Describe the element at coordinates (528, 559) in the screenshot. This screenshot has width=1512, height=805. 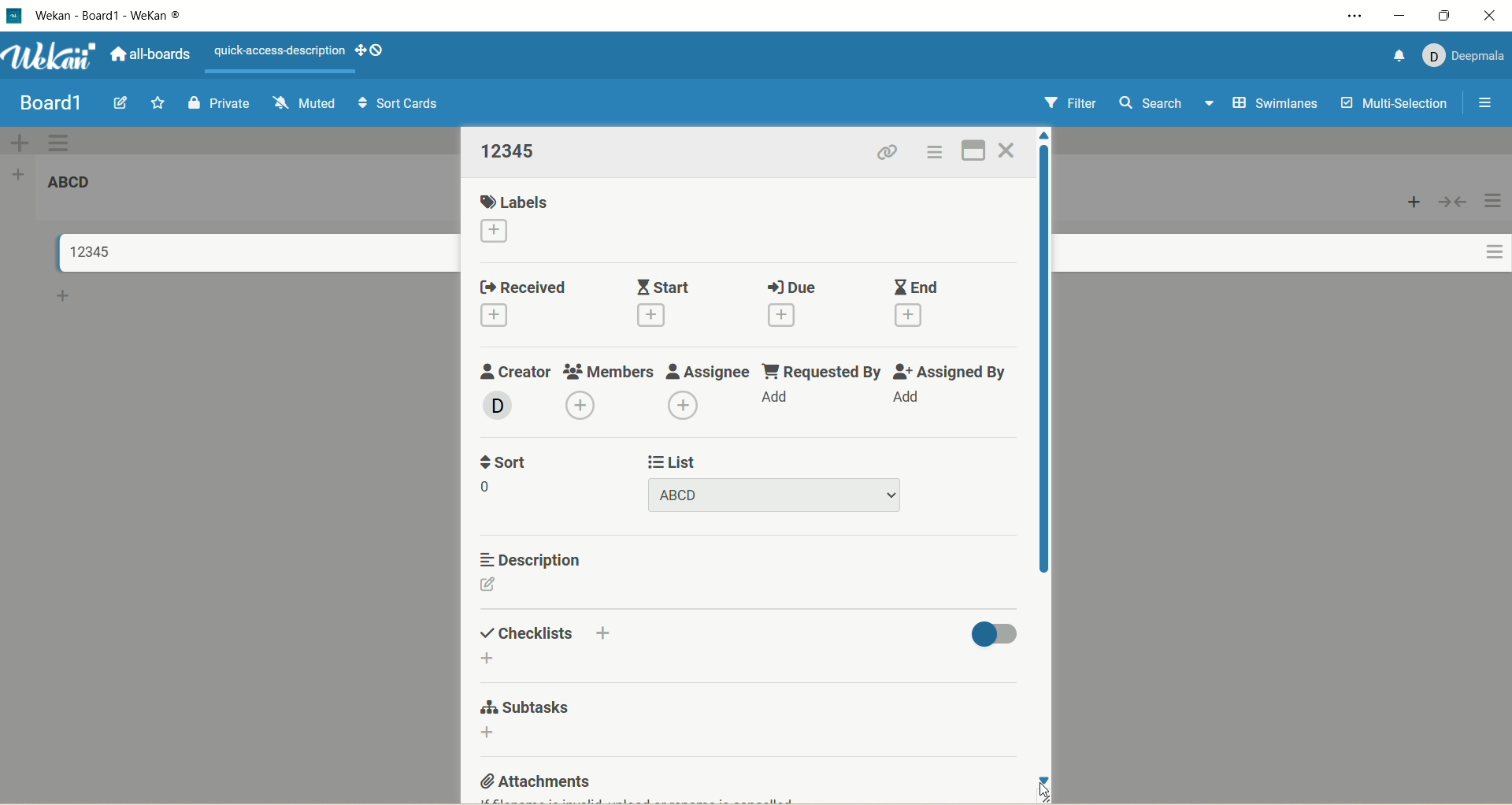
I see `description` at that location.